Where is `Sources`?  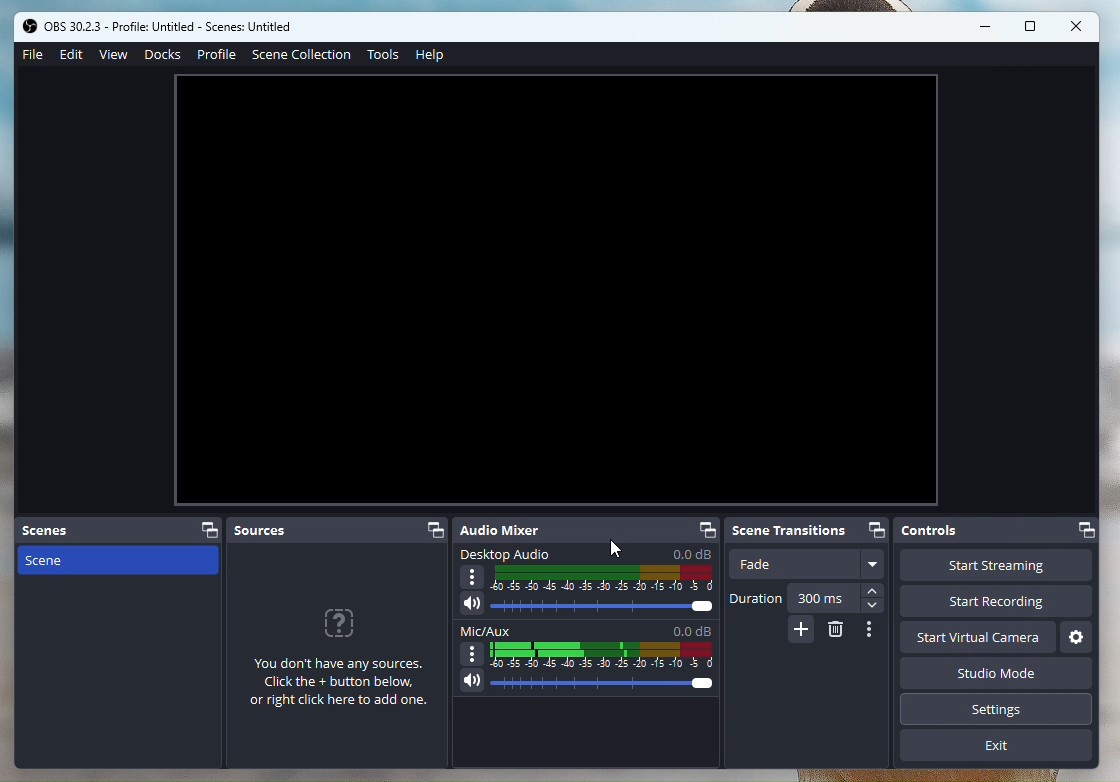 Sources is located at coordinates (340, 641).